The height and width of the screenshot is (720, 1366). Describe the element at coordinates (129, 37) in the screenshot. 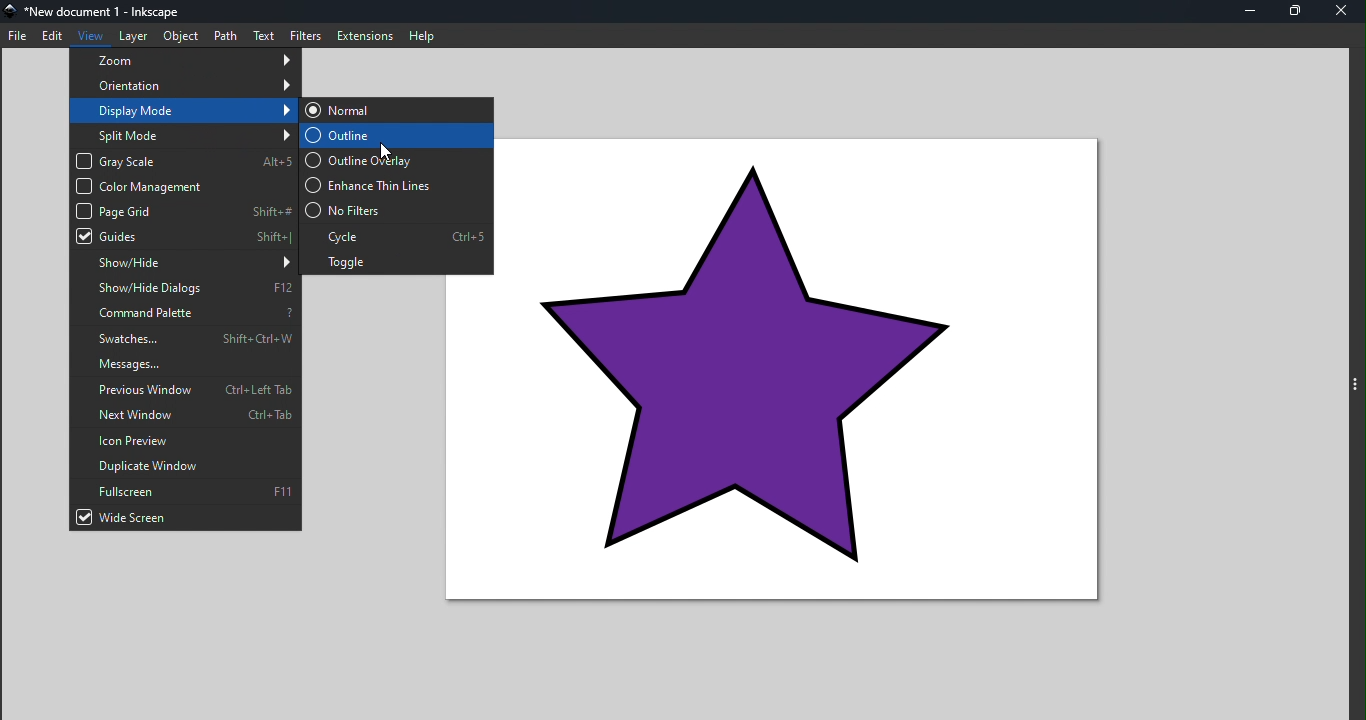

I see `Layer` at that location.